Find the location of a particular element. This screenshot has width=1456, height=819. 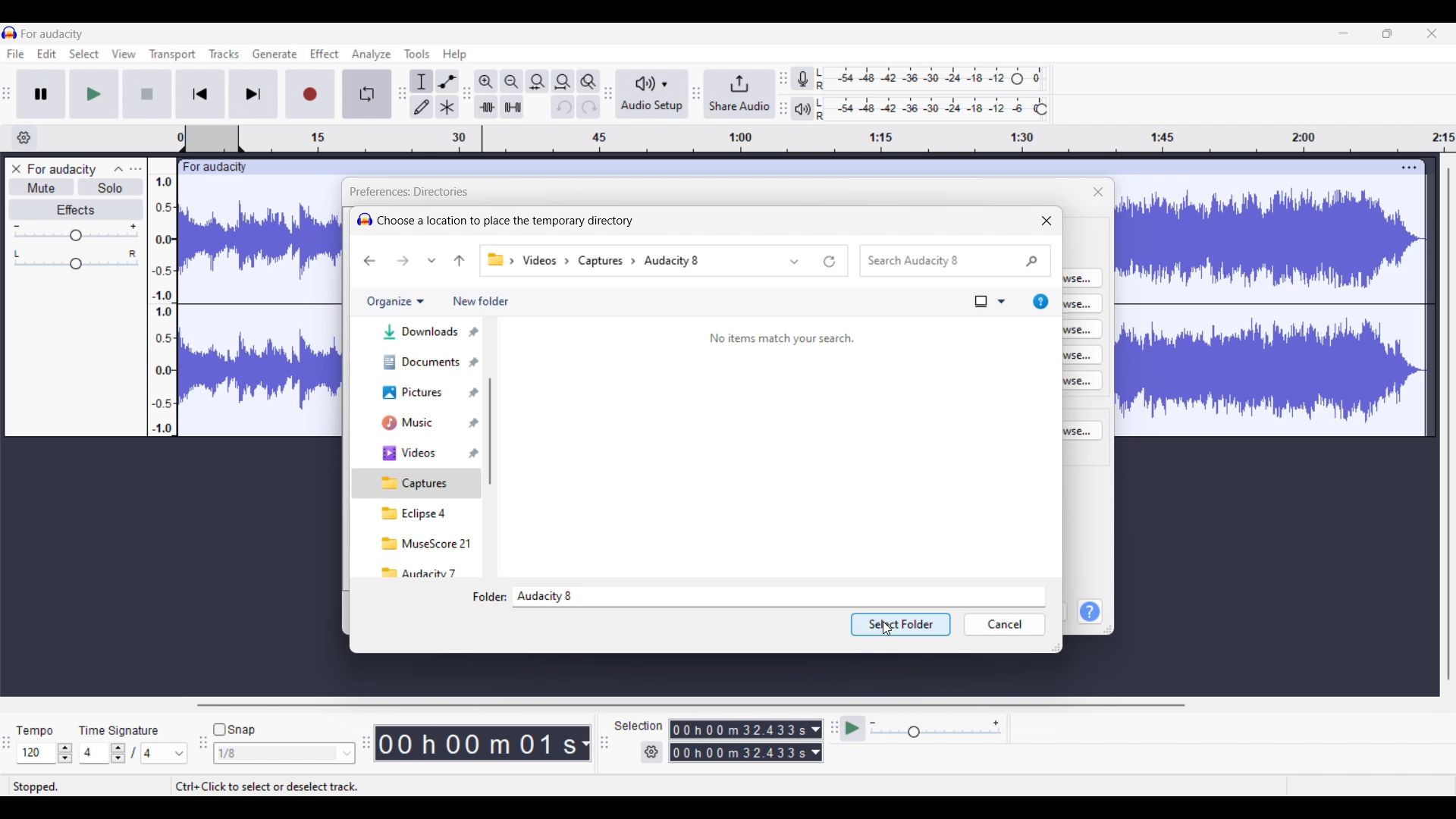

Increase/Decrease number is located at coordinates (118, 753).